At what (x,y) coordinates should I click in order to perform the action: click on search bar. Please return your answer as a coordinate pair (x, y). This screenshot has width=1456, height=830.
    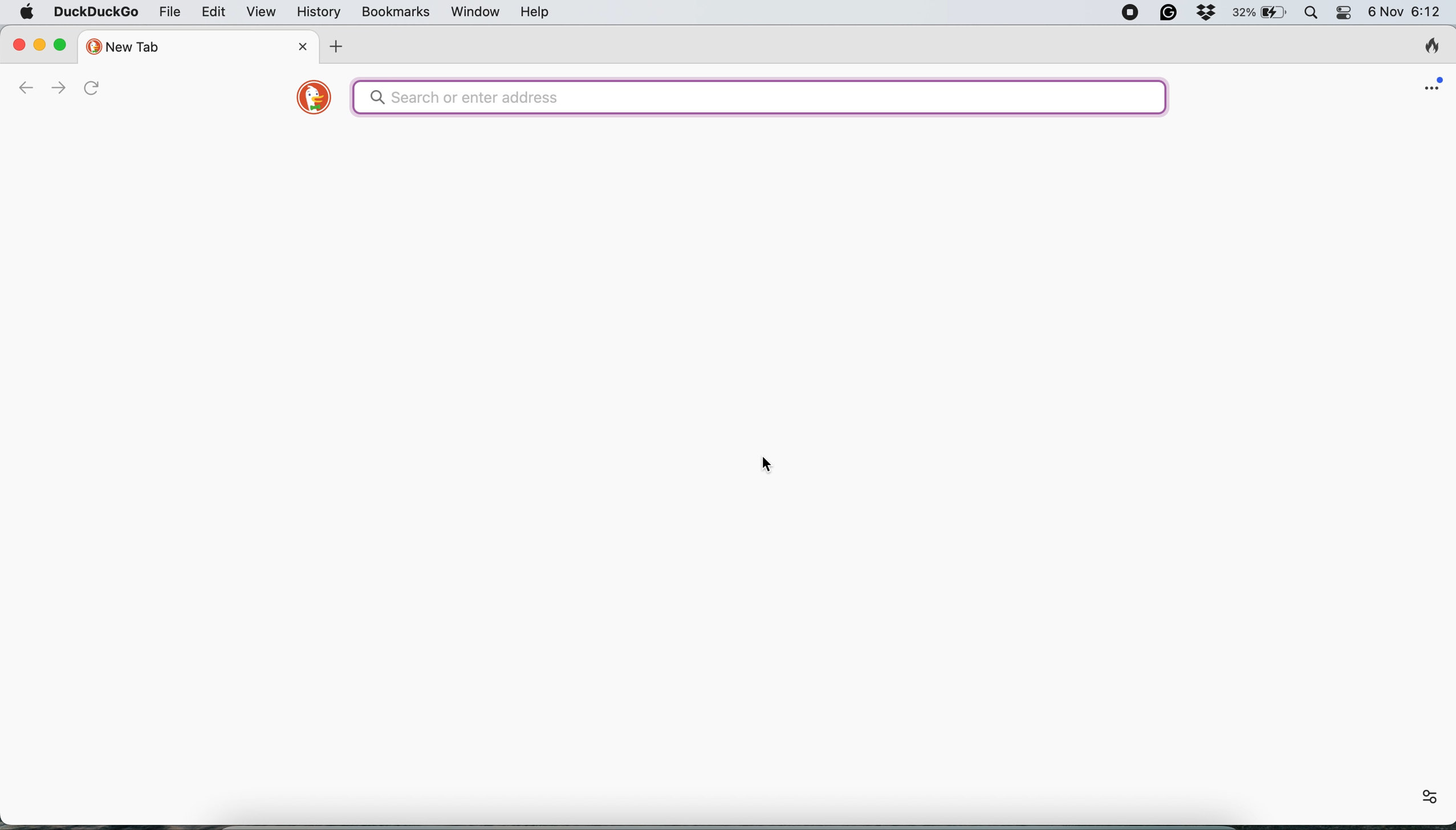
    Looking at the image, I should click on (773, 99).